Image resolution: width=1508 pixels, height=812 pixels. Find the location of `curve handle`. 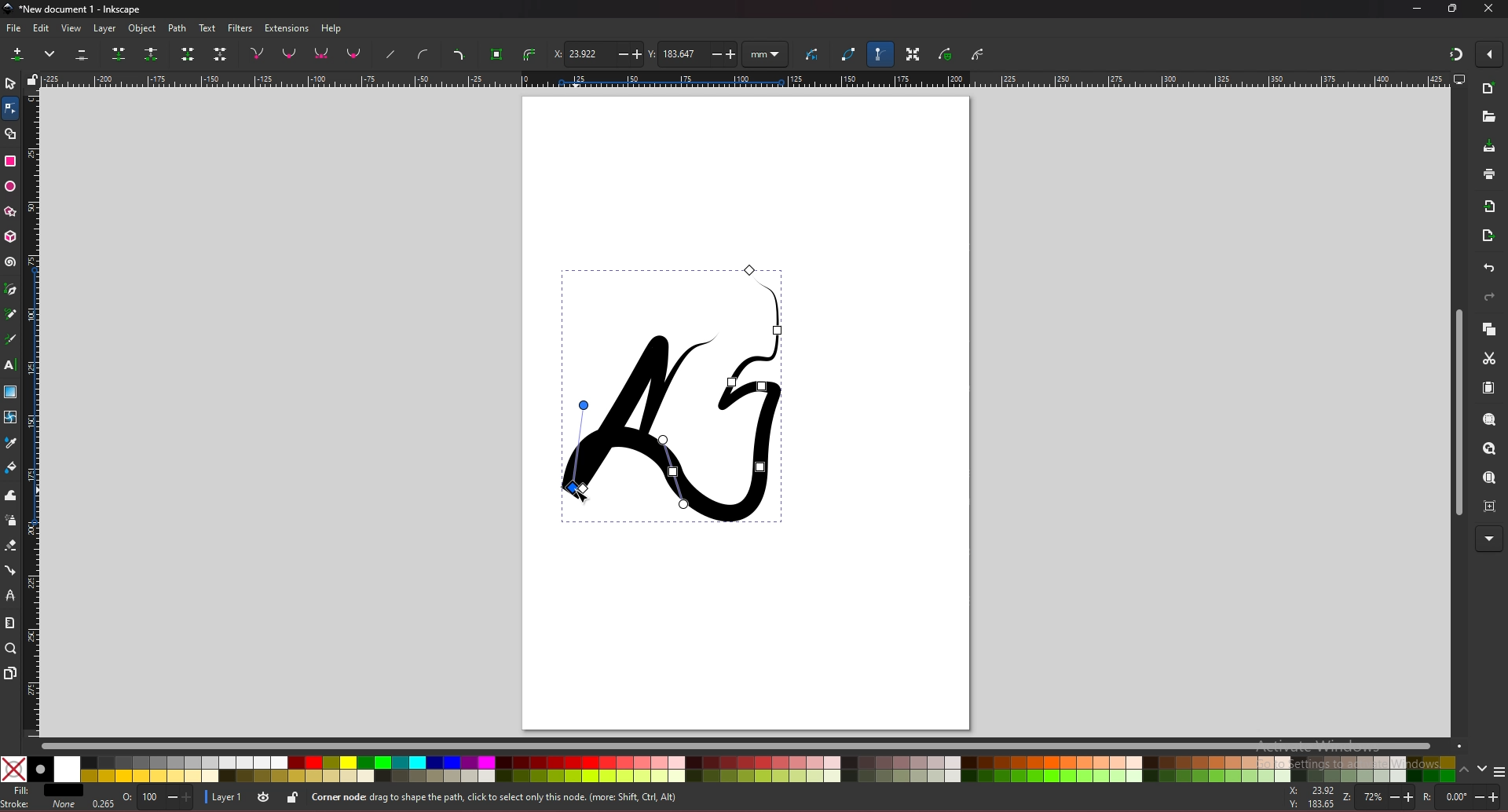

curve handle is located at coordinates (424, 53).